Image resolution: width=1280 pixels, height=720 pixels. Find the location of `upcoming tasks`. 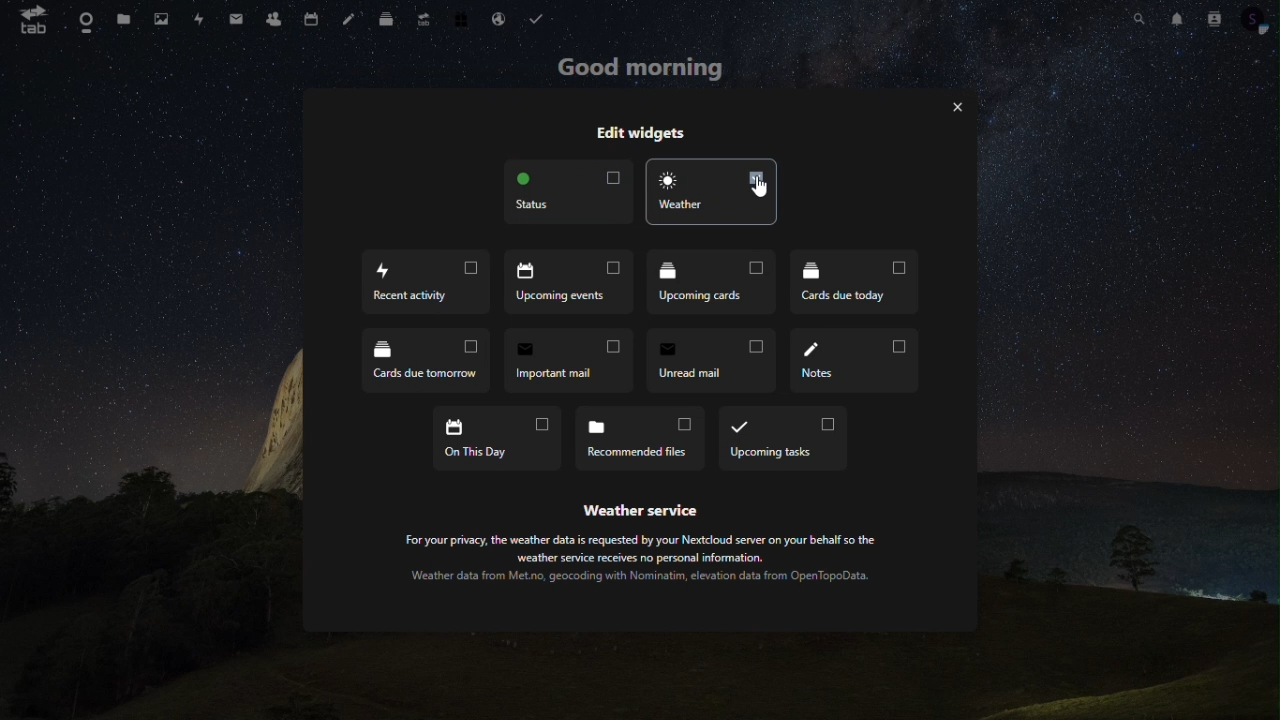

upcoming tasks is located at coordinates (784, 439).